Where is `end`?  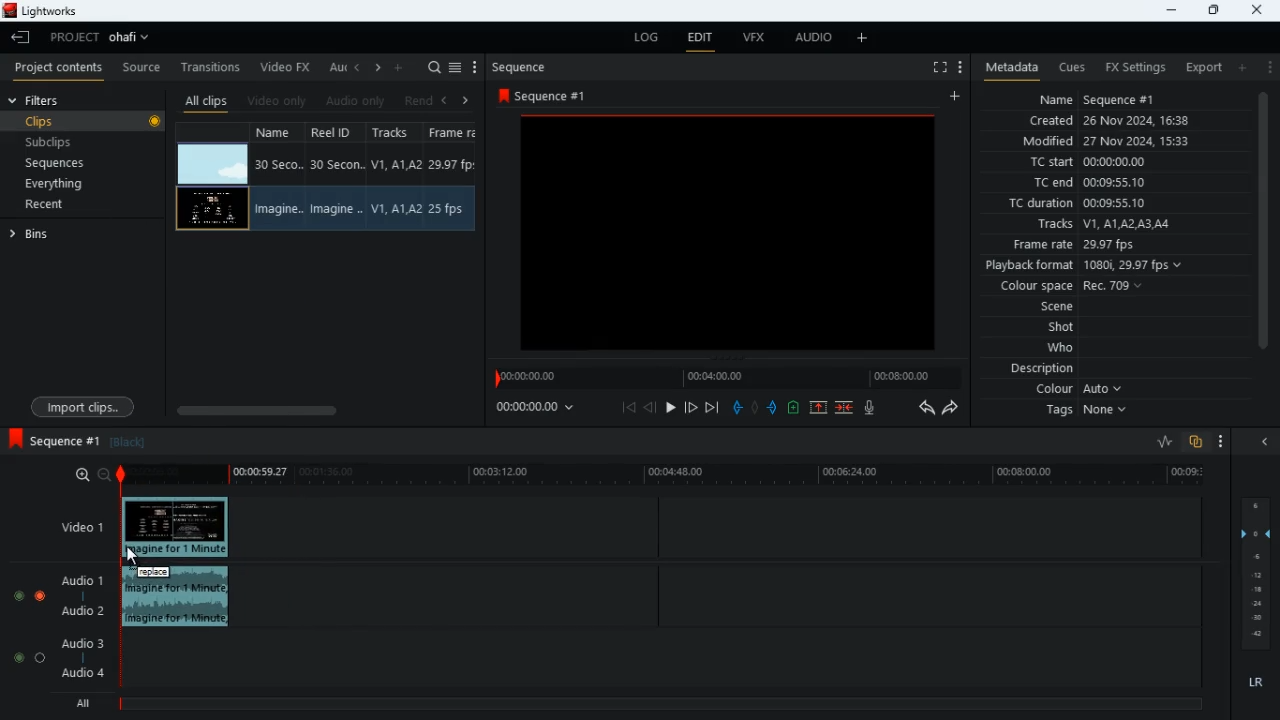 end is located at coordinates (710, 407).